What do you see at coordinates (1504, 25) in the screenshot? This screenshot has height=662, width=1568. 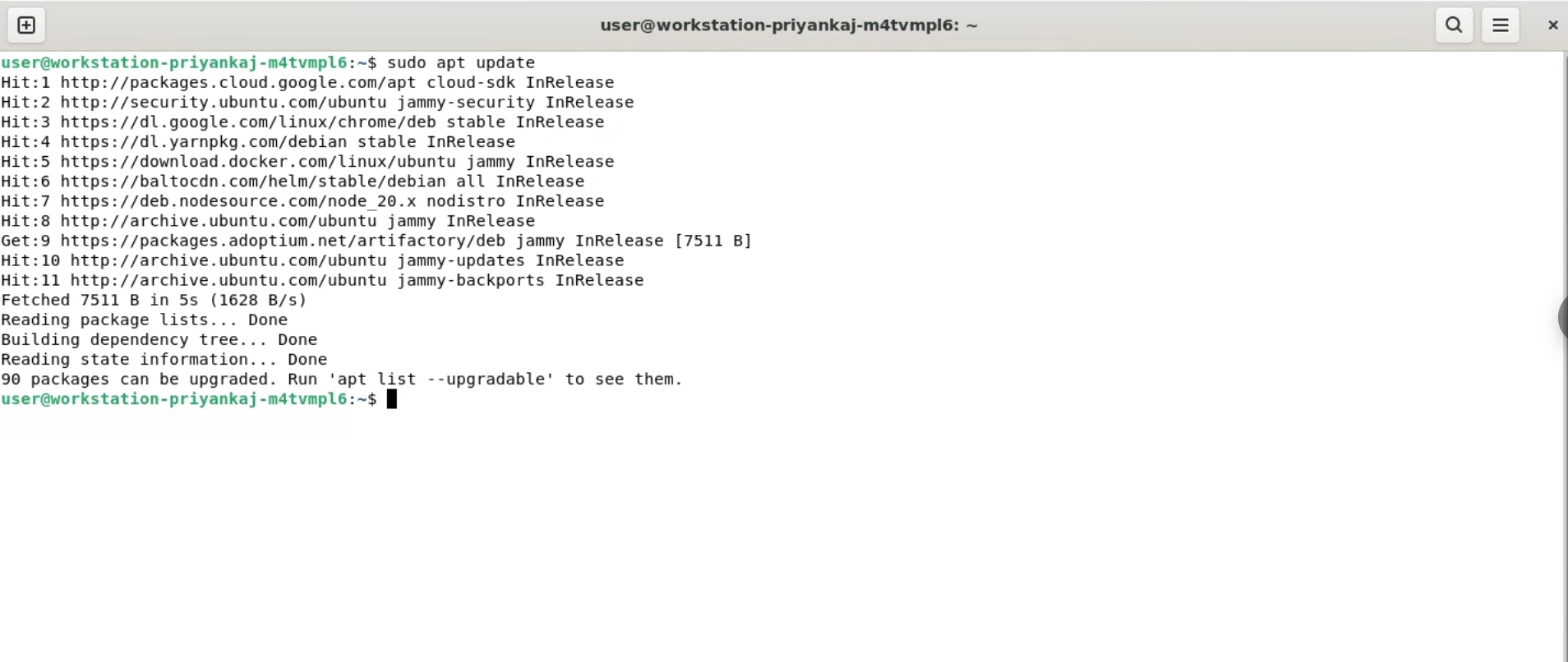 I see `menu` at bounding box center [1504, 25].